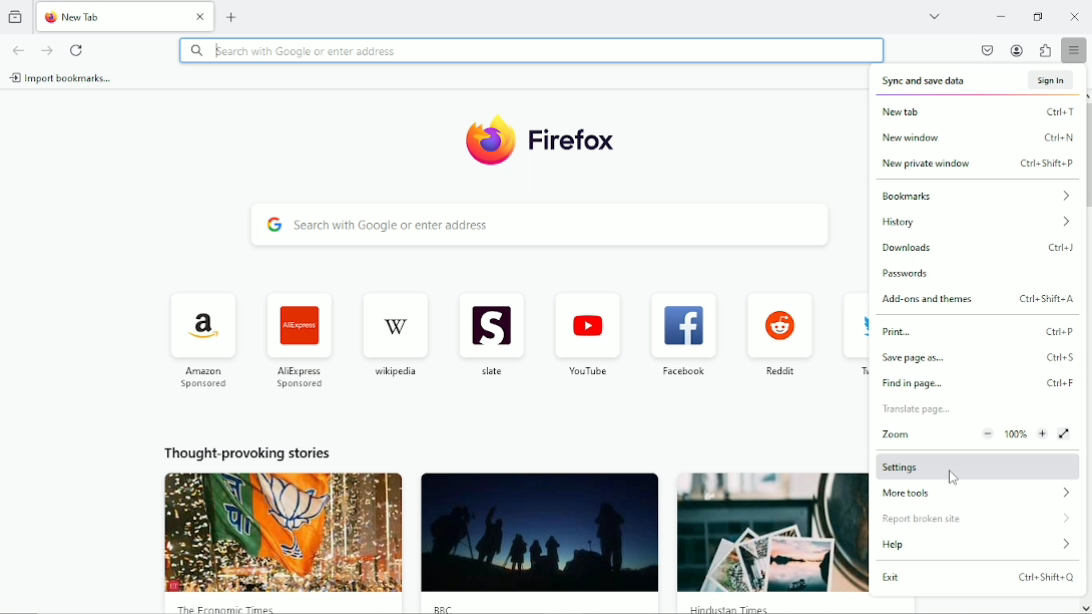 The height and width of the screenshot is (614, 1092). I want to click on Search bar, so click(541, 224).